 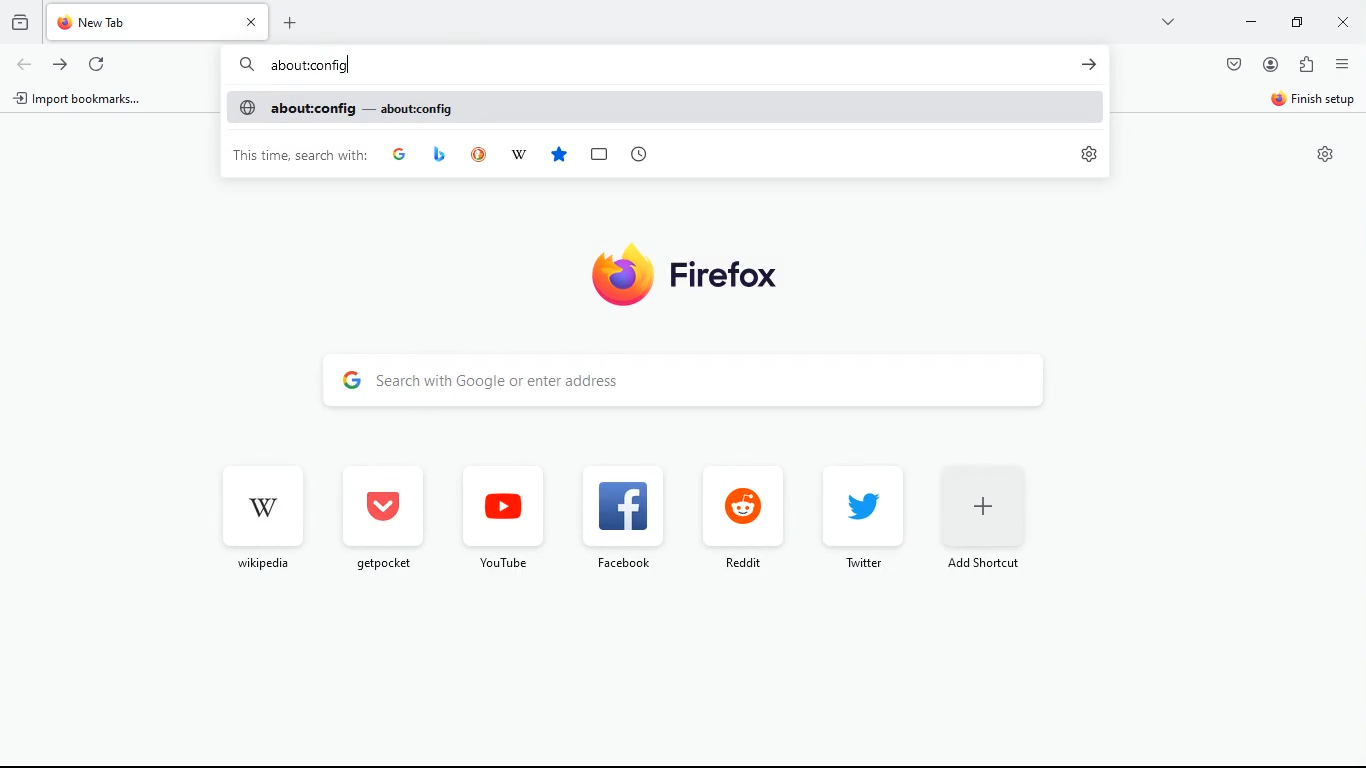 What do you see at coordinates (1343, 24) in the screenshot?
I see `close` at bounding box center [1343, 24].